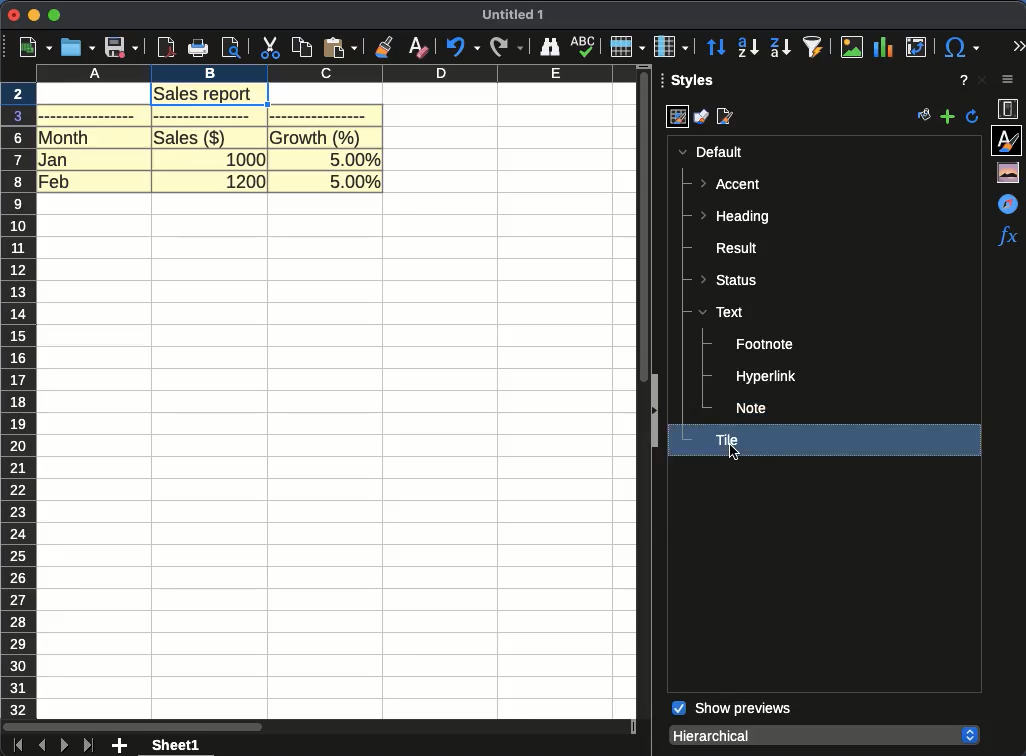 This screenshot has width=1026, height=756. What do you see at coordinates (166, 48) in the screenshot?
I see `pdf viewer` at bounding box center [166, 48].